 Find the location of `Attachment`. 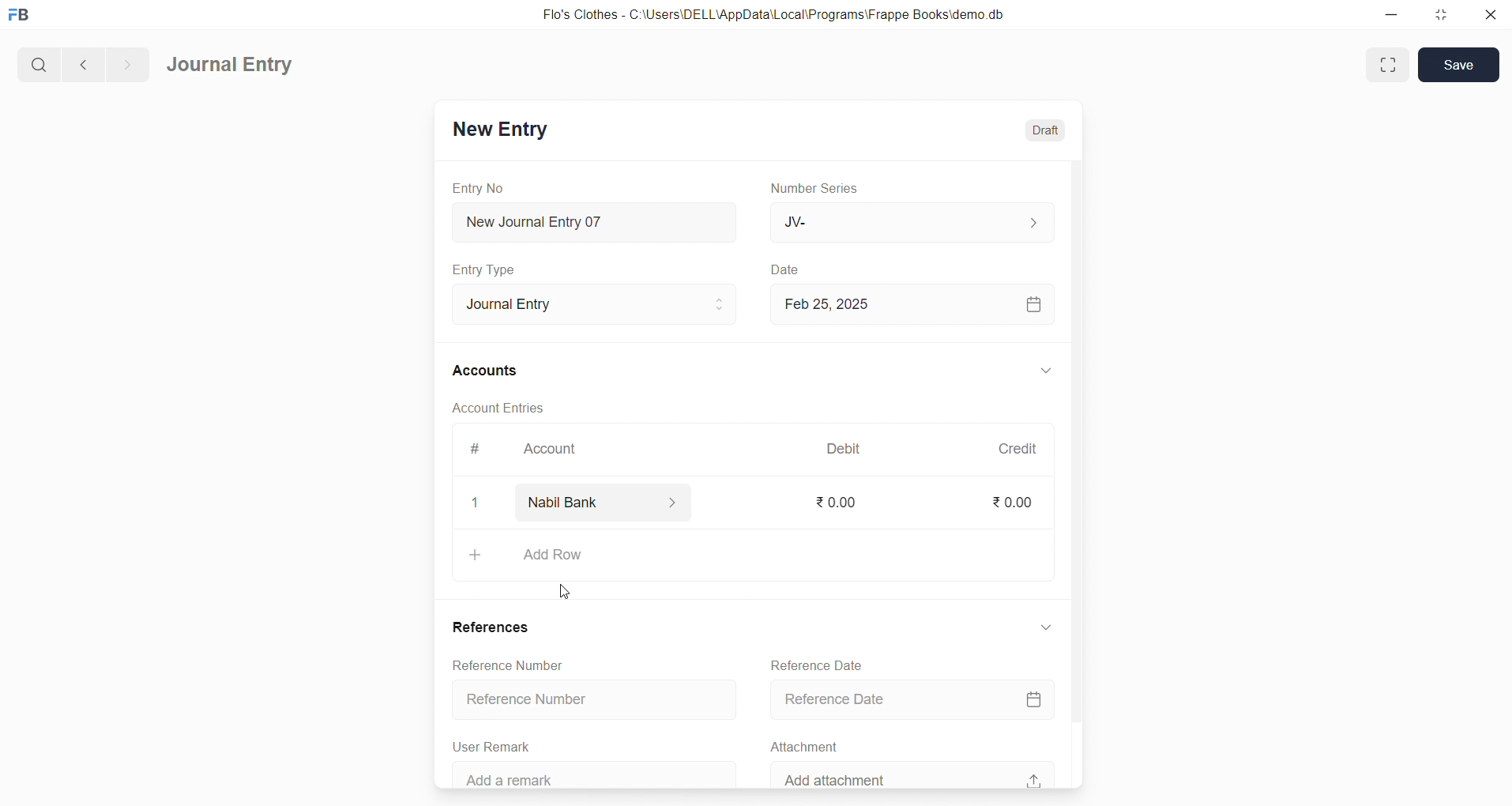

Attachment is located at coordinates (805, 745).